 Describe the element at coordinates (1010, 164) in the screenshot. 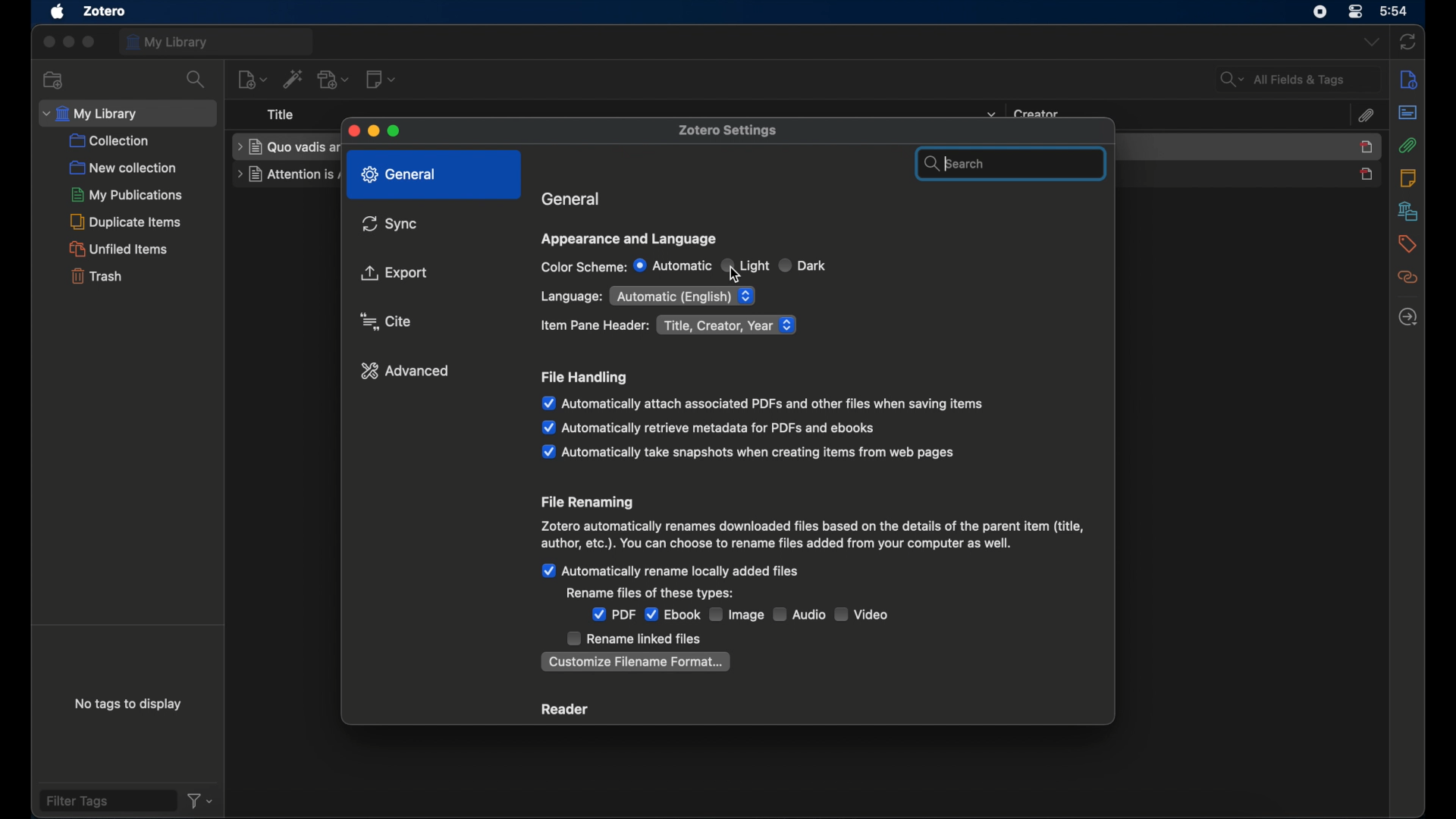

I see `search` at that location.